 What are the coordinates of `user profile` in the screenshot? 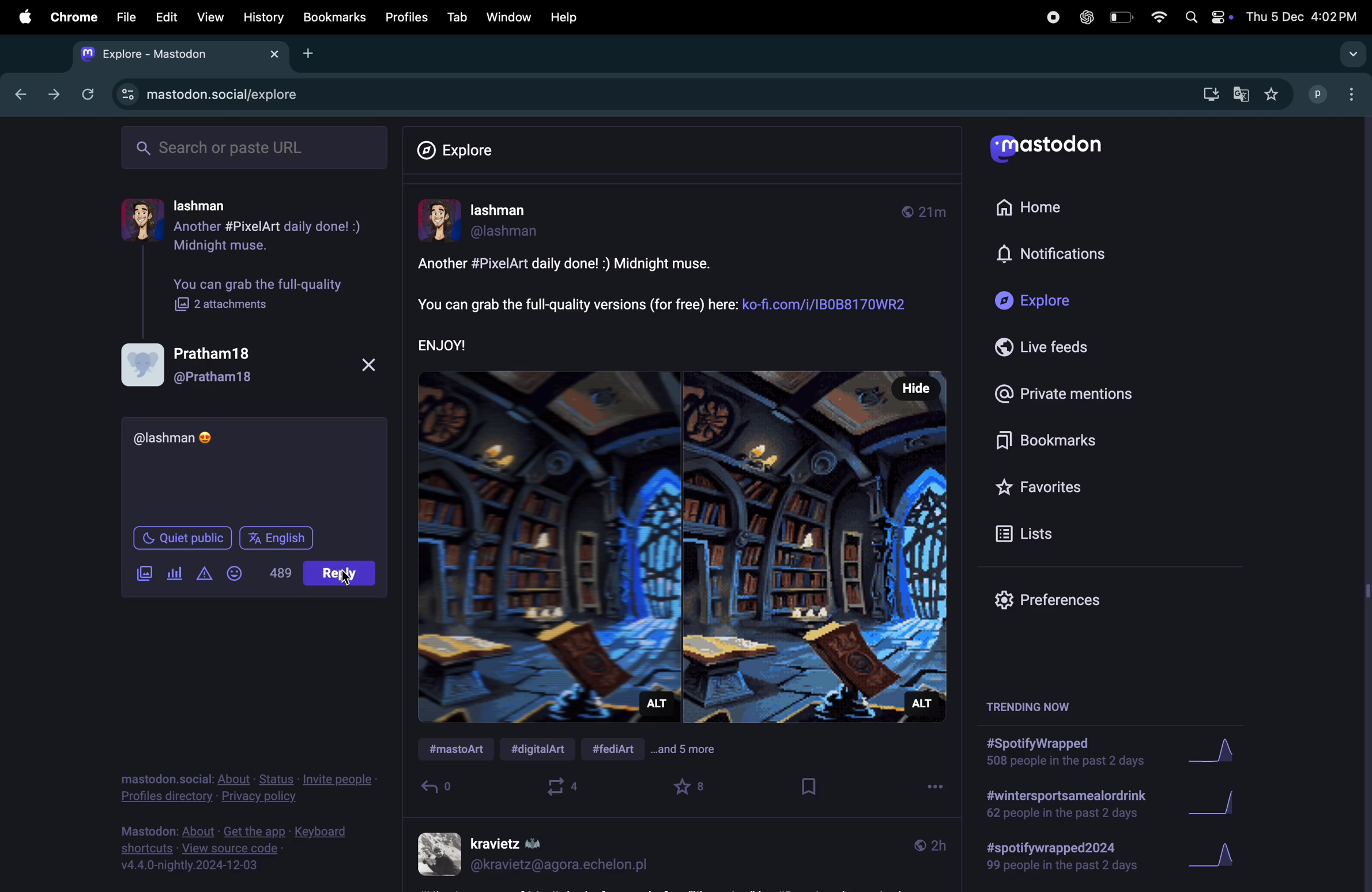 It's located at (247, 368).